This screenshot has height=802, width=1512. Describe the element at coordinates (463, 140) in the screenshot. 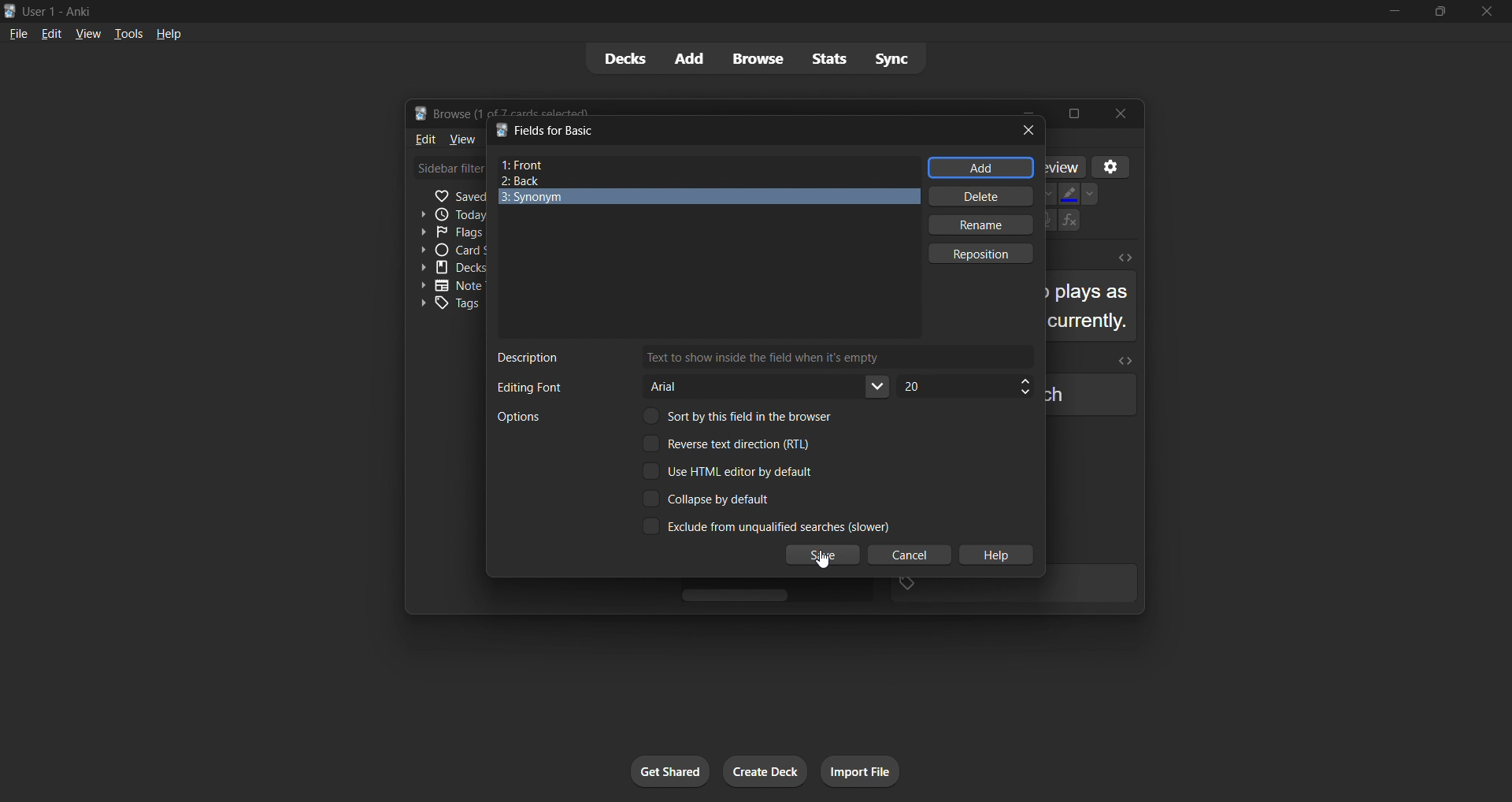

I see `View` at that location.